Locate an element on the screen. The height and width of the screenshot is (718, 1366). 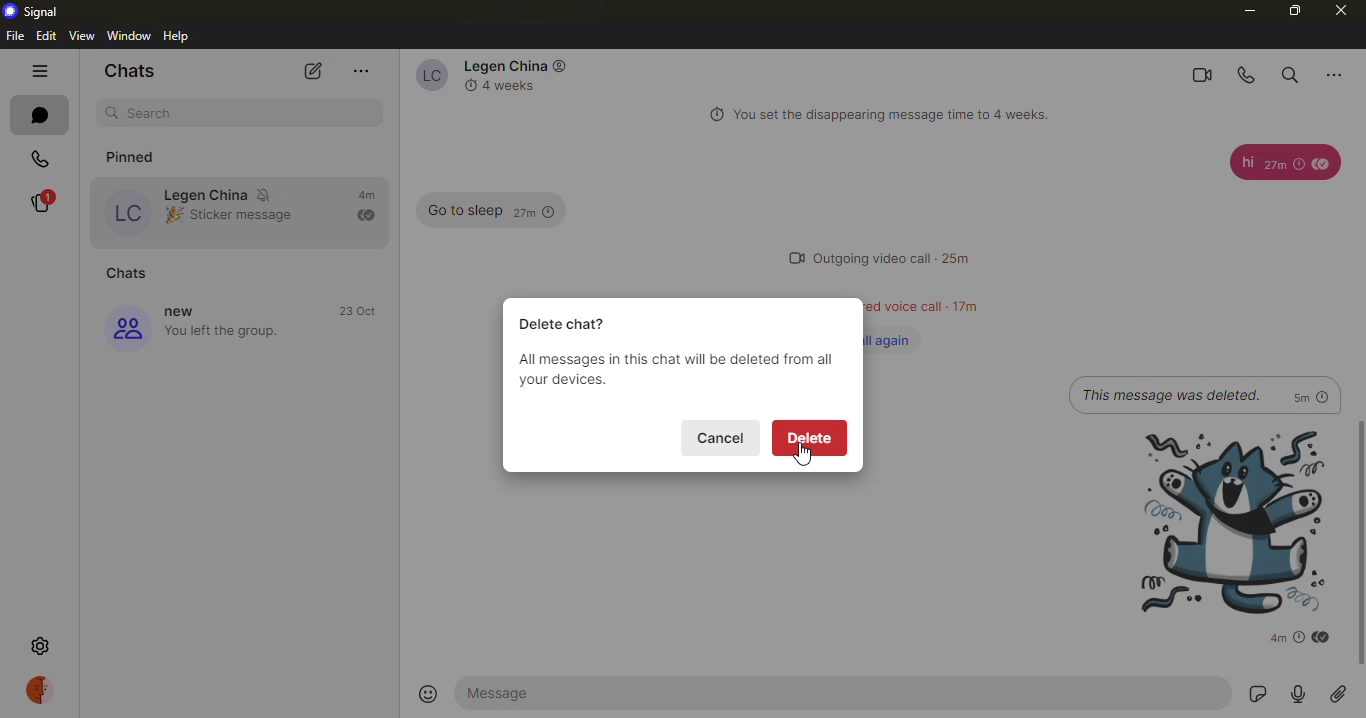
You set the disappearing message time to 4 weeks. is located at coordinates (900, 115).